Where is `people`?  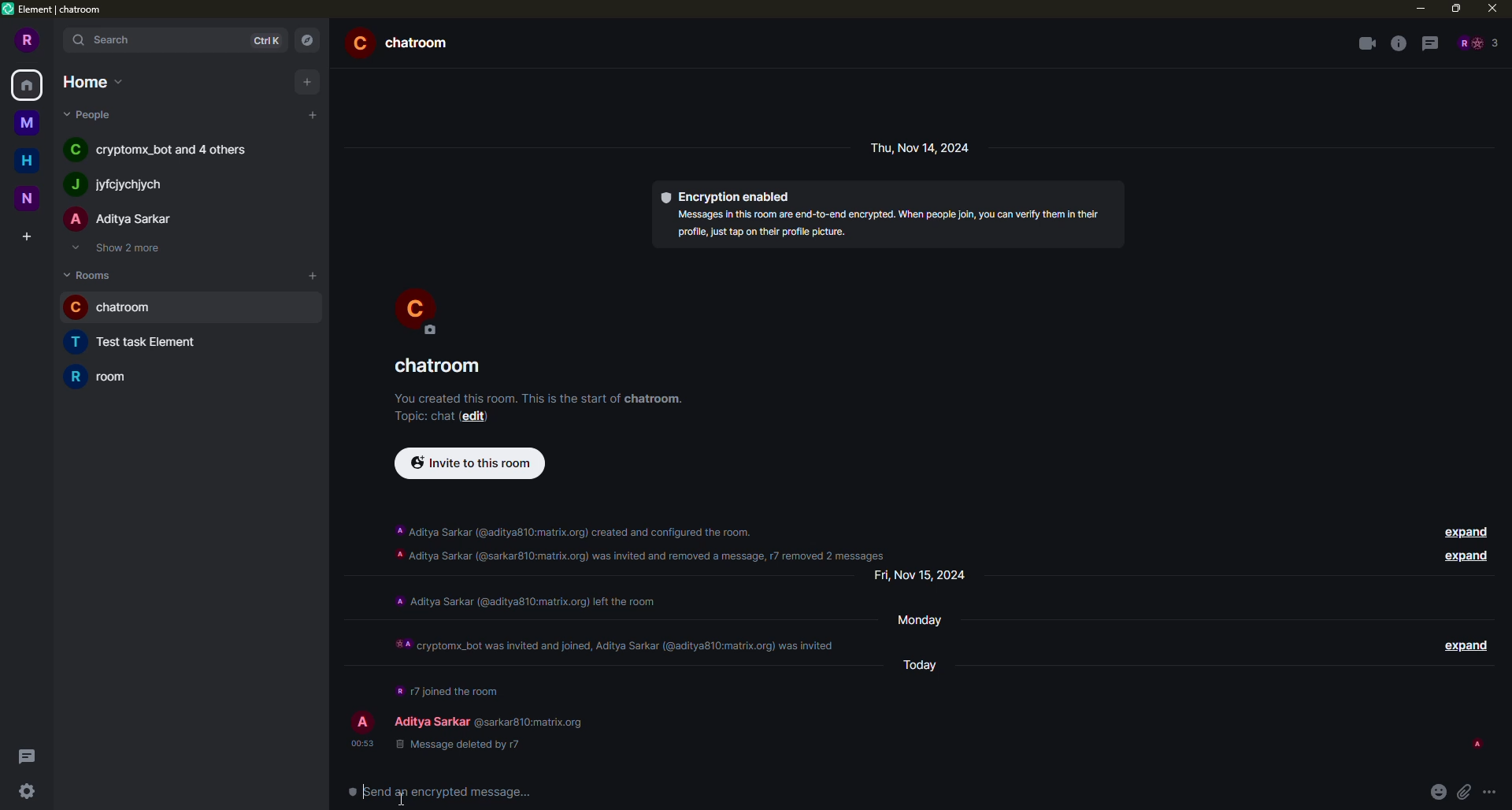
people is located at coordinates (91, 114).